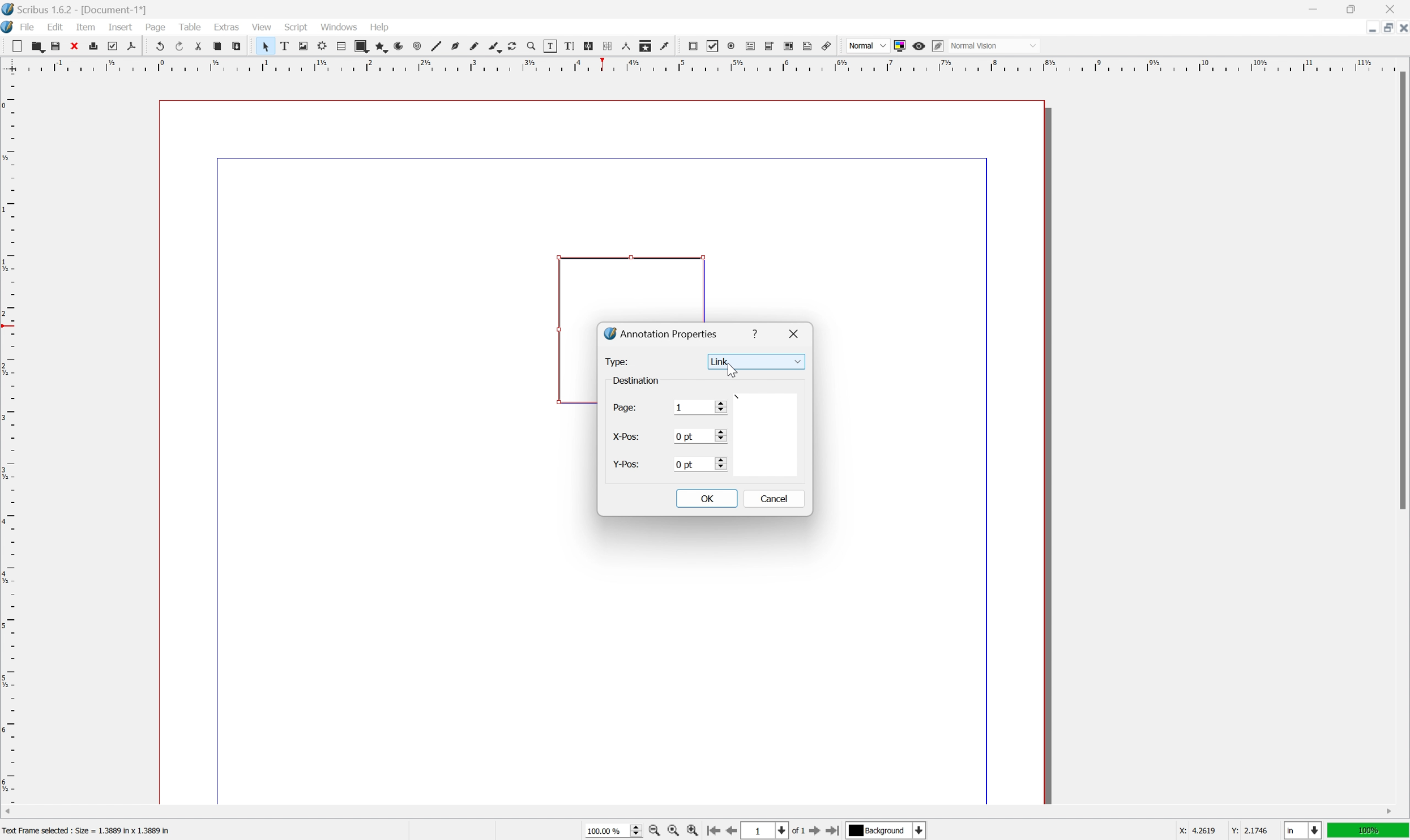 The width and height of the screenshot is (1410, 840). I want to click on cut, so click(199, 46).